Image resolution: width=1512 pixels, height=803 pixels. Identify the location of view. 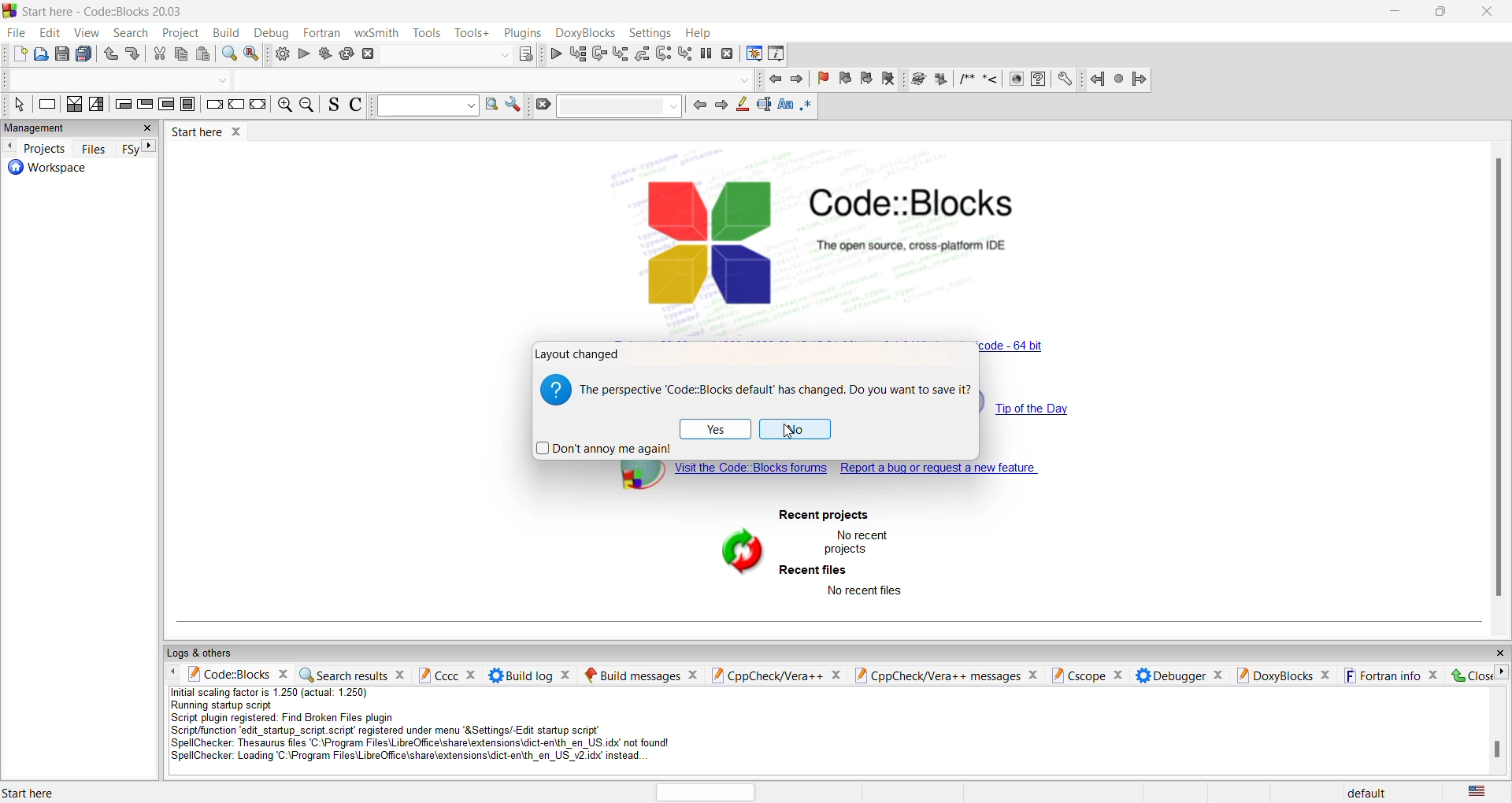
(87, 33).